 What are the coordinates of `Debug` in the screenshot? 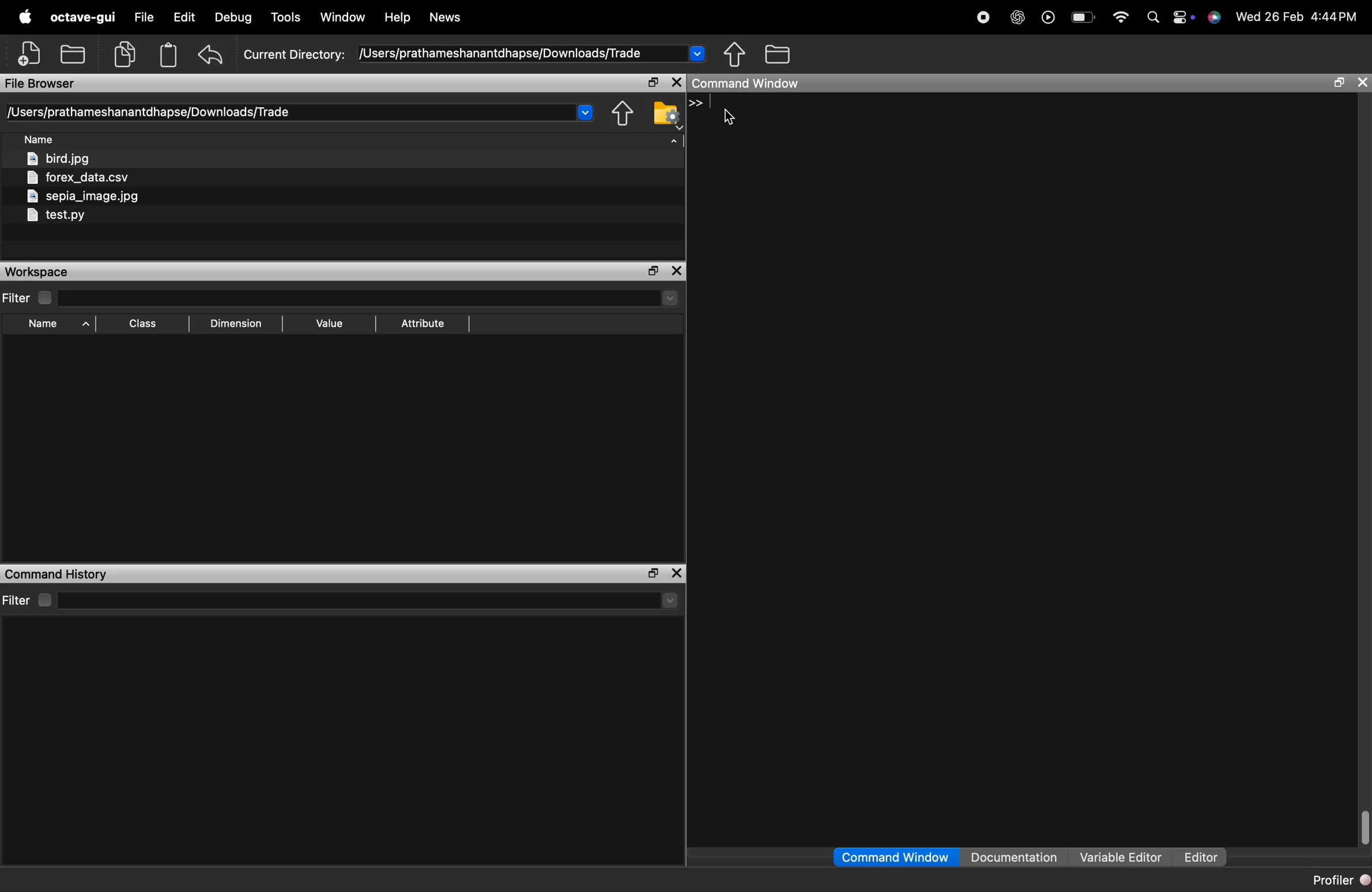 It's located at (233, 18).